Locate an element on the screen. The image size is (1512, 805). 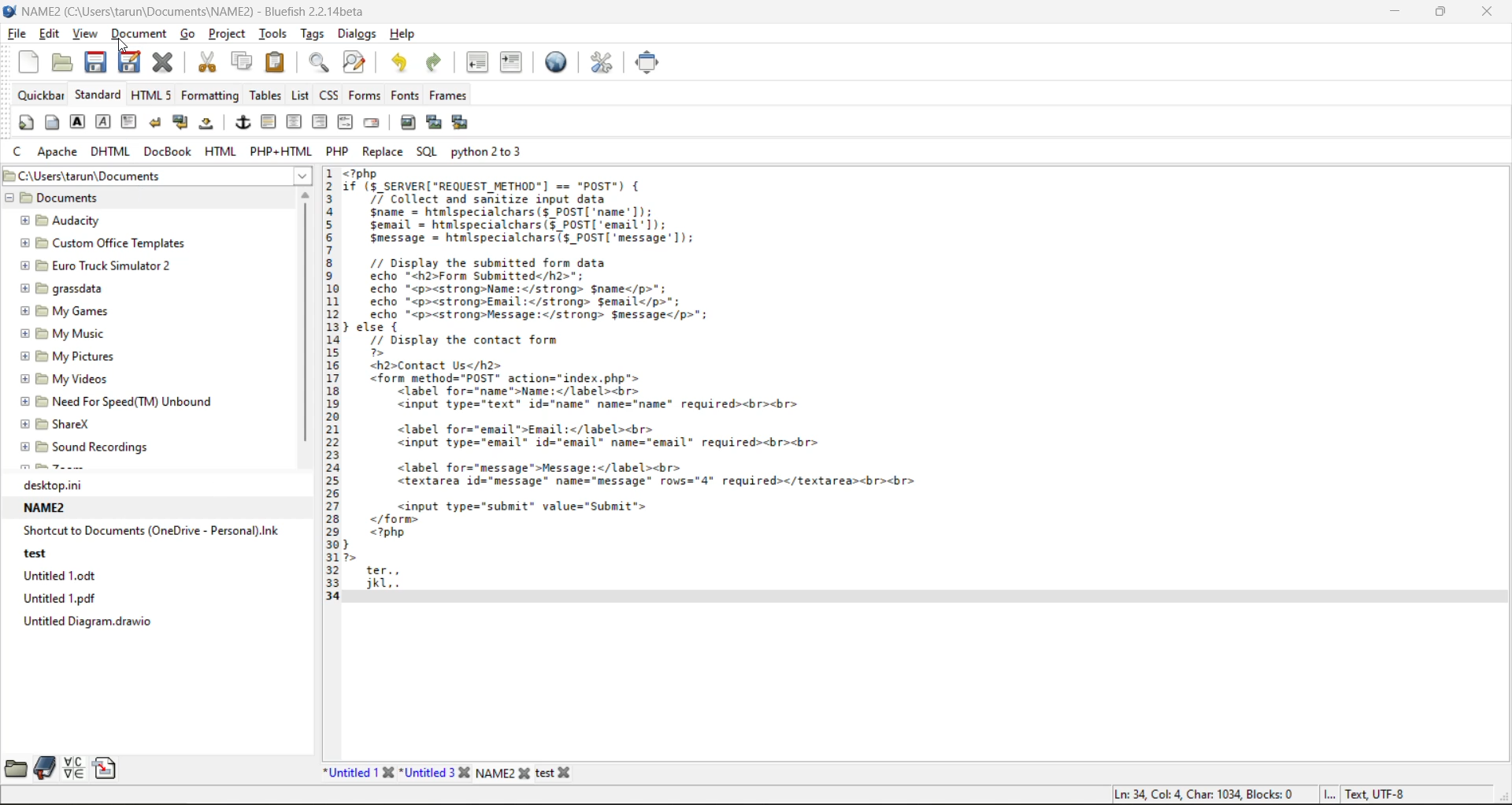
undo is located at coordinates (402, 64).